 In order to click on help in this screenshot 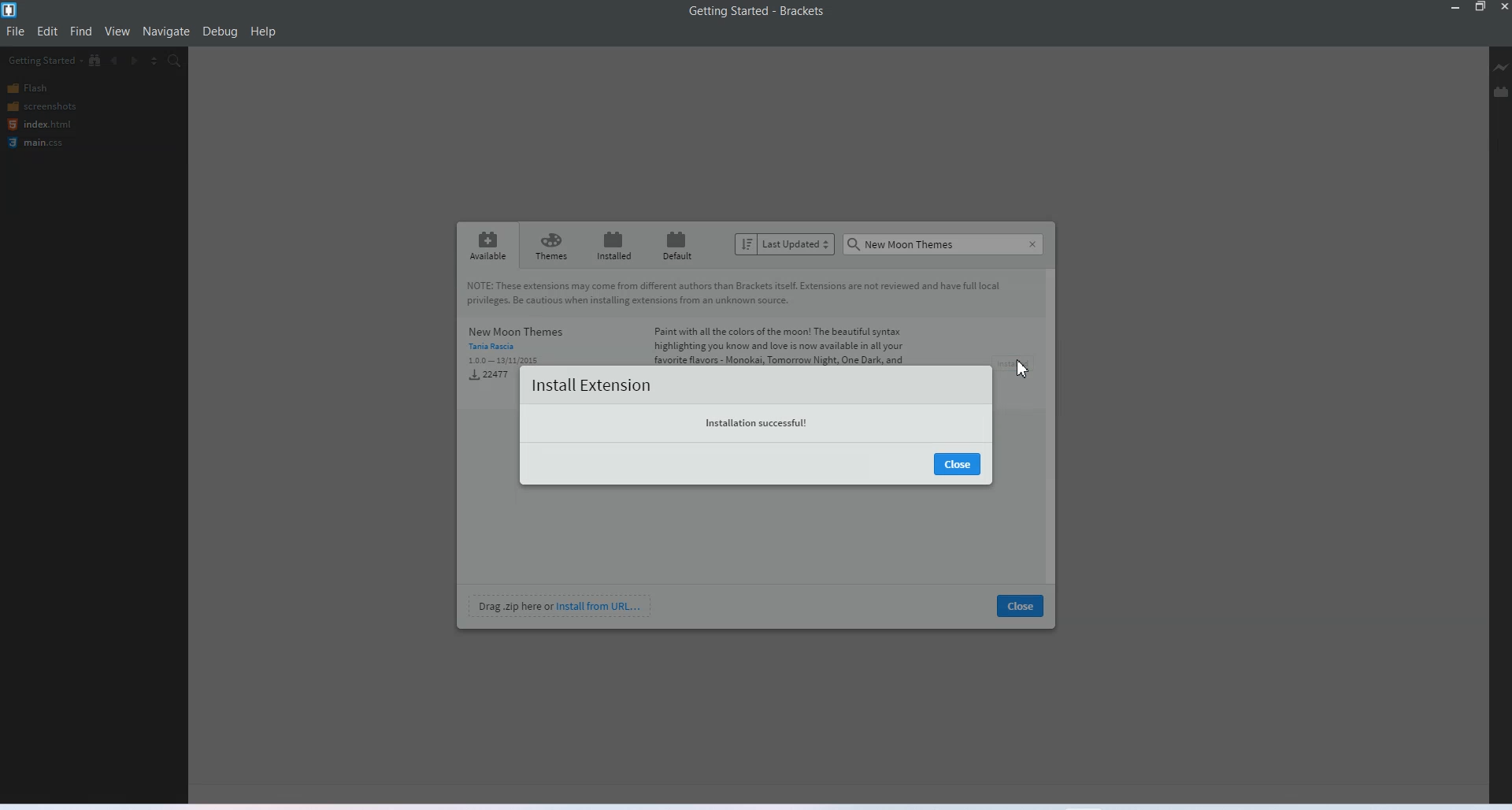, I will do `click(264, 32)`.